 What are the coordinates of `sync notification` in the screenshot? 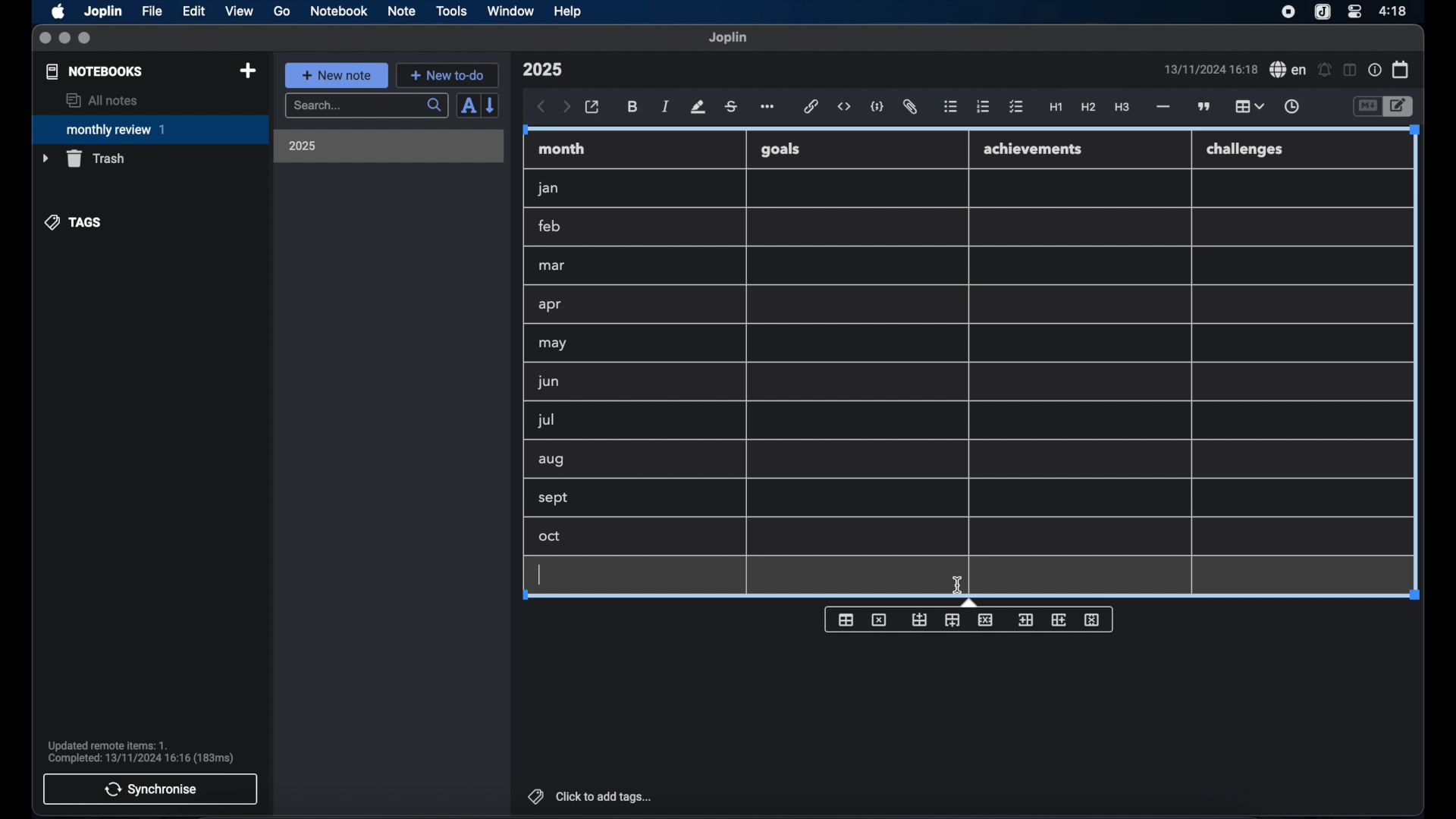 It's located at (141, 752).